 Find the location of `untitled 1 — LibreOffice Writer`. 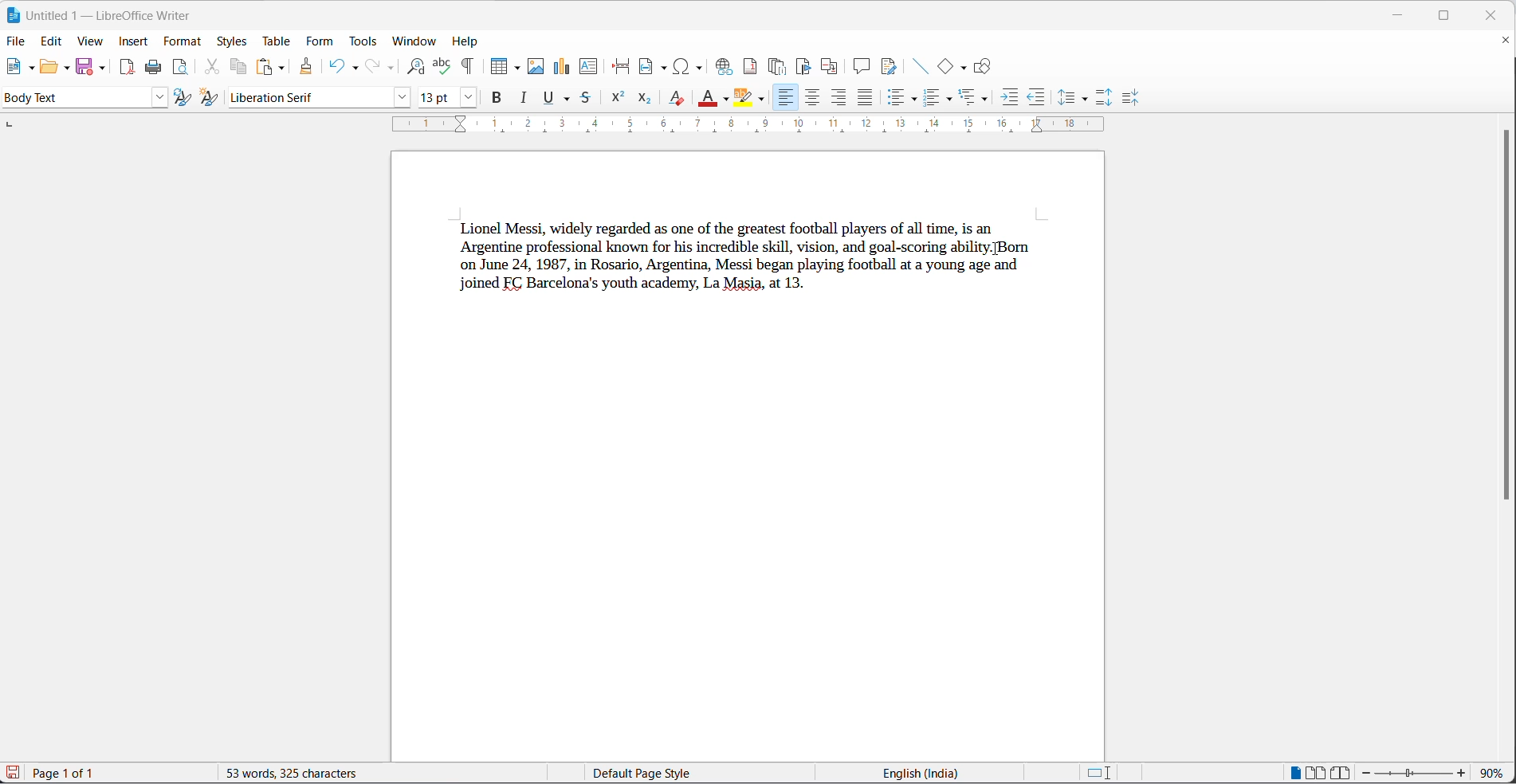

untitled 1 — LibreOffice Writer is located at coordinates (118, 18).